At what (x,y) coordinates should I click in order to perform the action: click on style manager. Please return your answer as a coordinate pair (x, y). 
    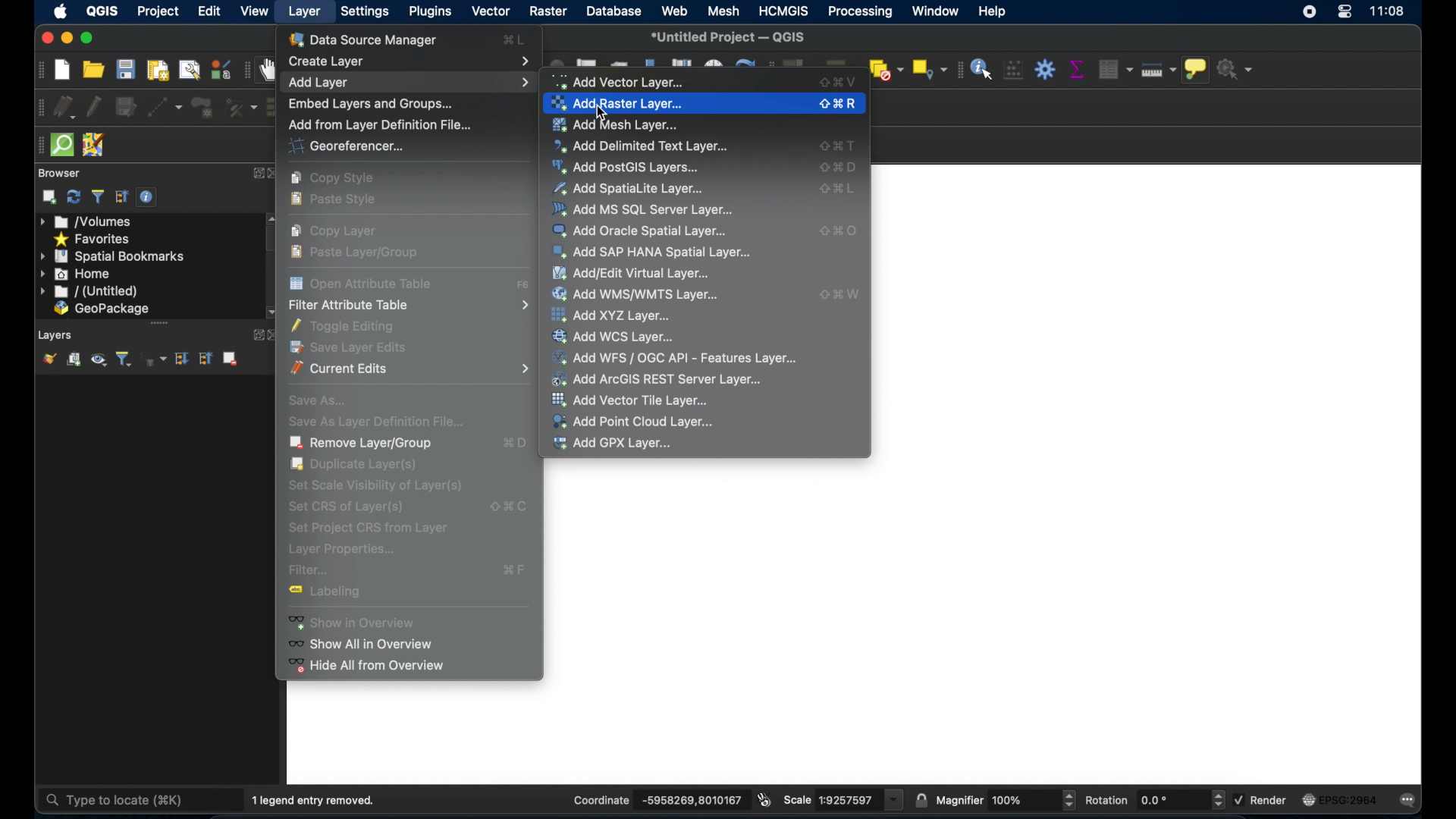
    Looking at the image, I should click on (220, 69).